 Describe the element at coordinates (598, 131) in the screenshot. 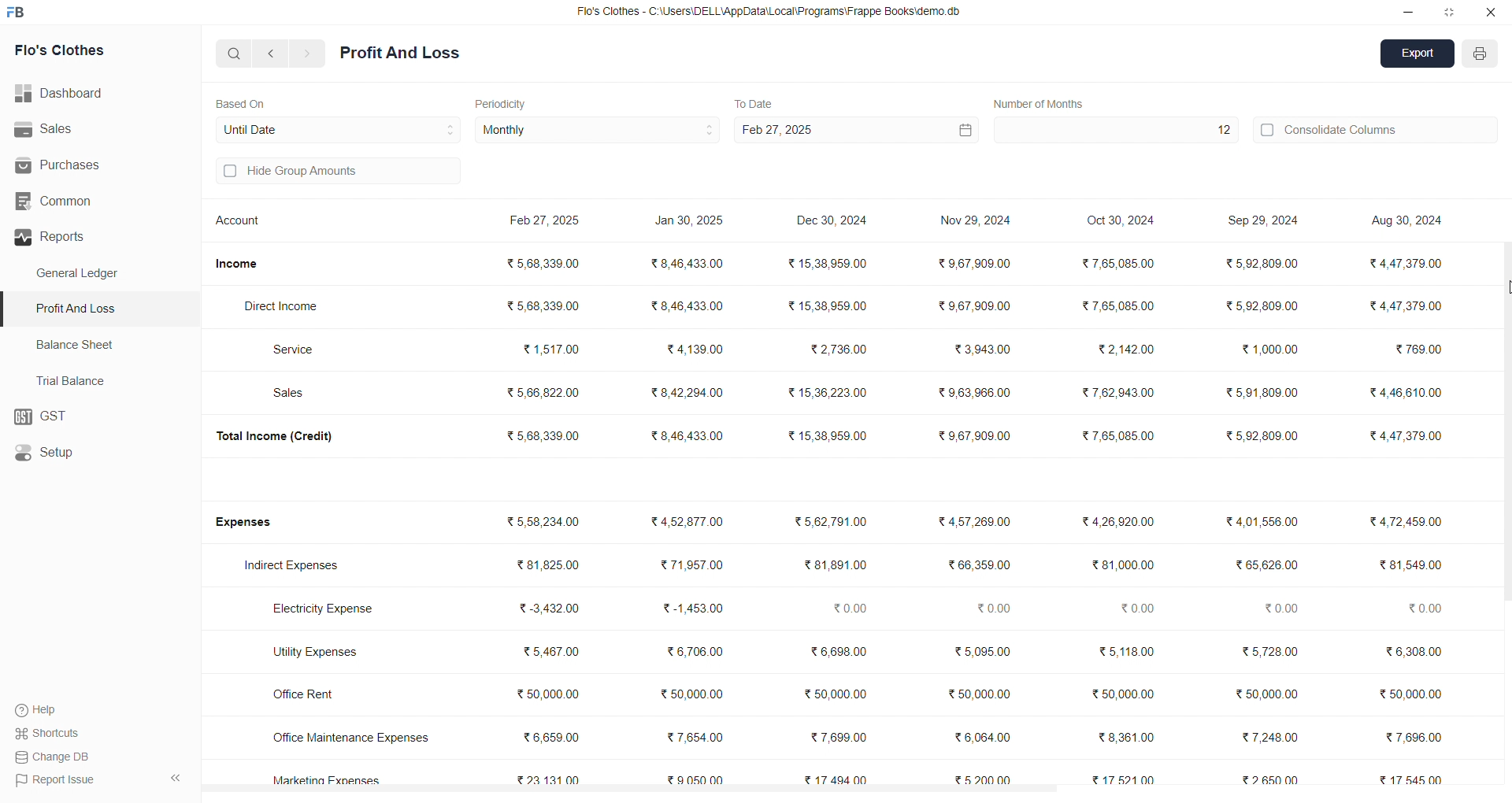

I see `Monthly` at that location.